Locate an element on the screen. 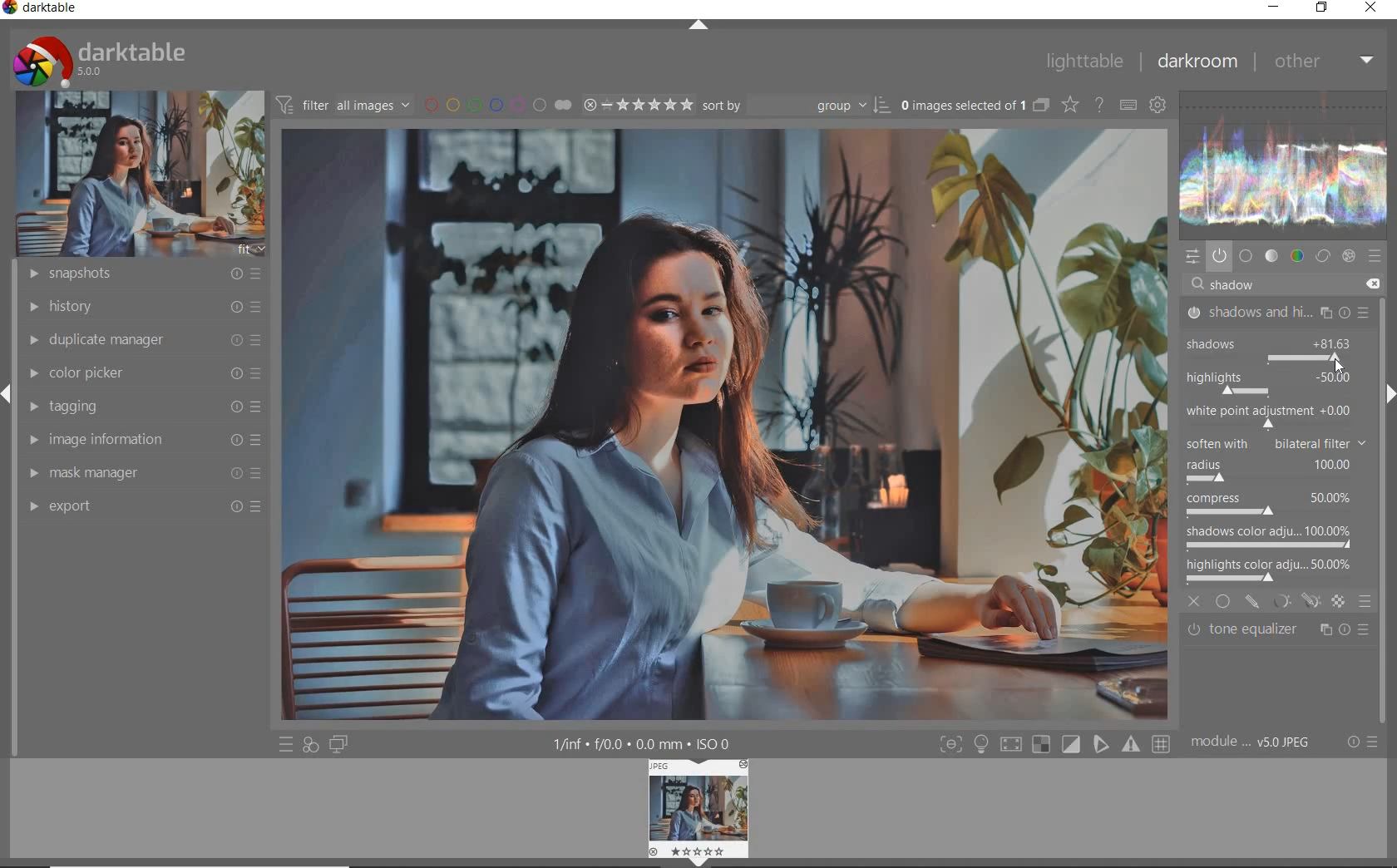 The width and height of the screenshot is (1397, 868). other is located at coordinates (1323, 61).